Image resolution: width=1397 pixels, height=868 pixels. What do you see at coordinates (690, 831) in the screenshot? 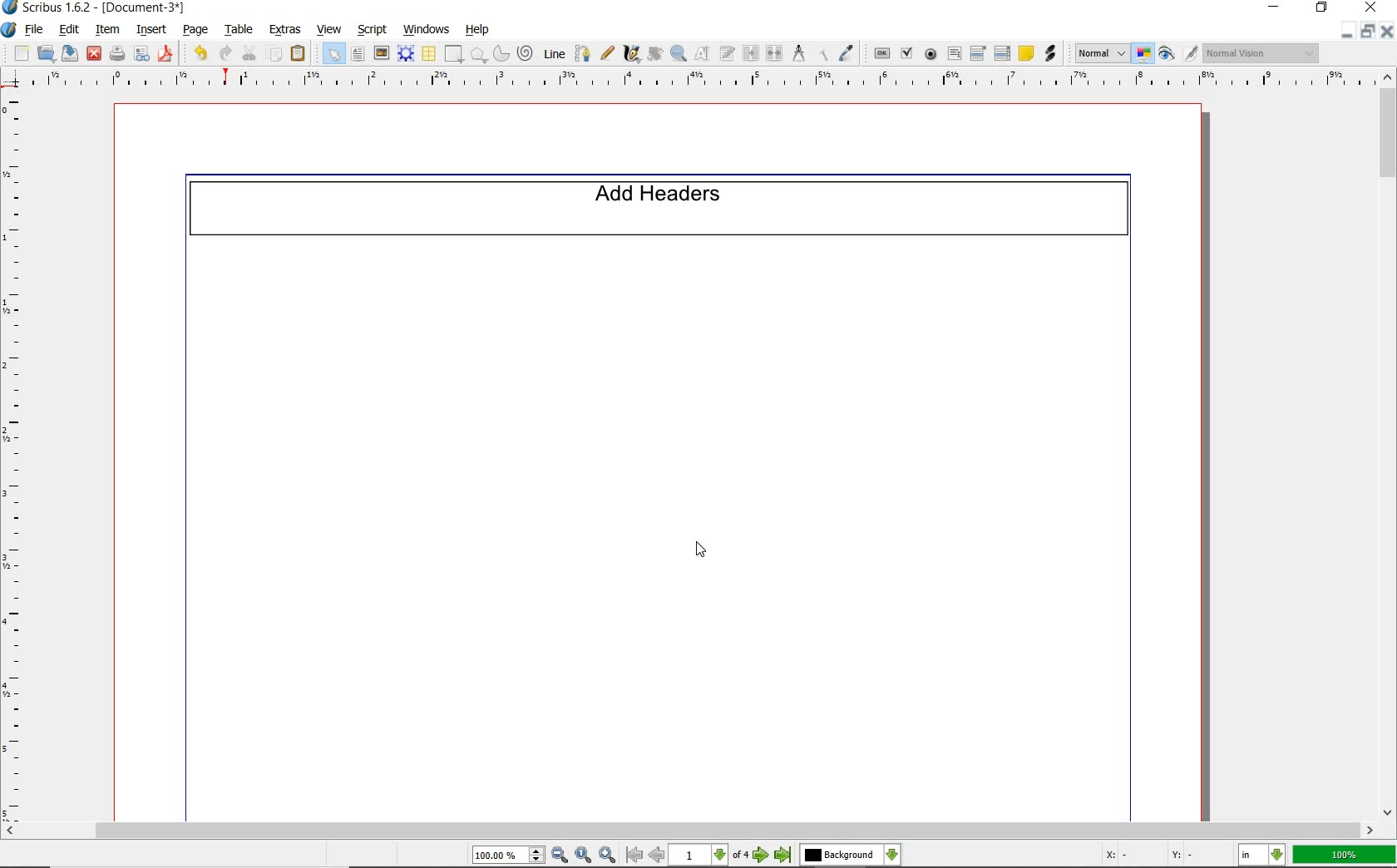
I see `scrollbar` at bounding box center [690, 831].